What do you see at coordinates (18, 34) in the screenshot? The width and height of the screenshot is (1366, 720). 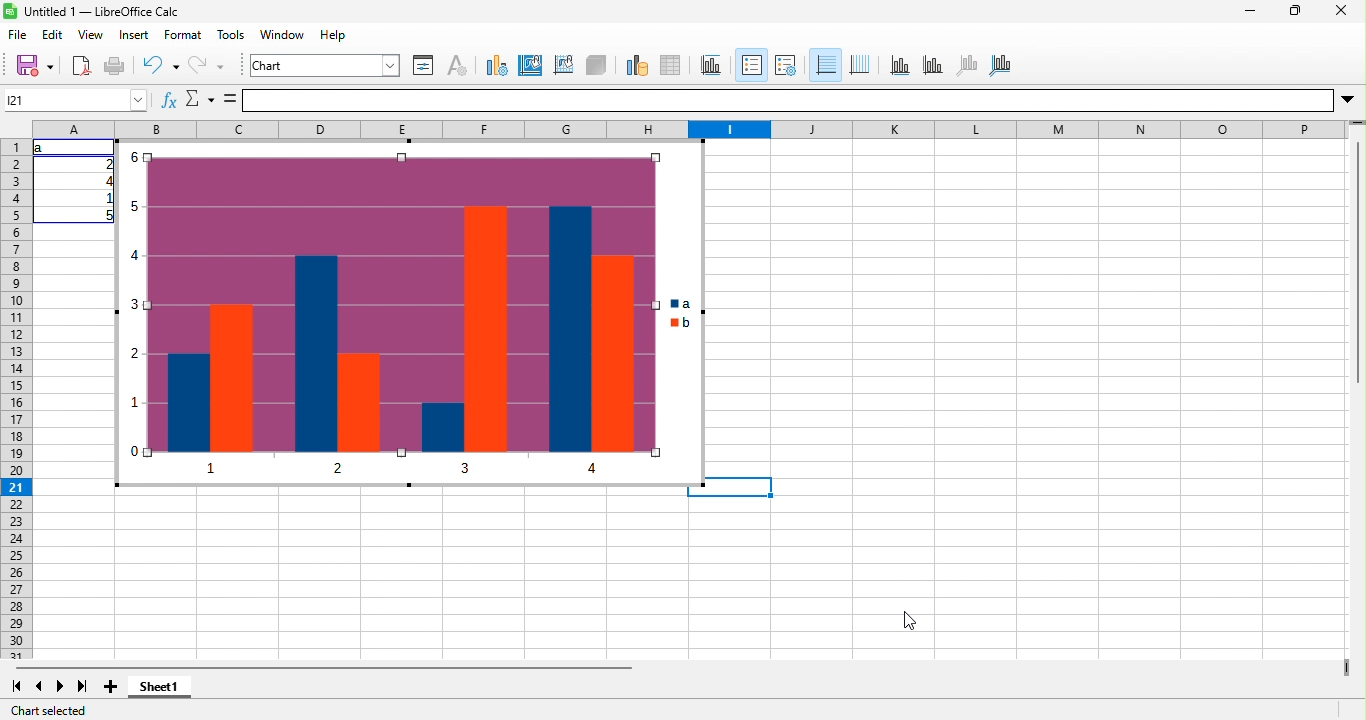 I see `file` at bounding box center [18, 34].